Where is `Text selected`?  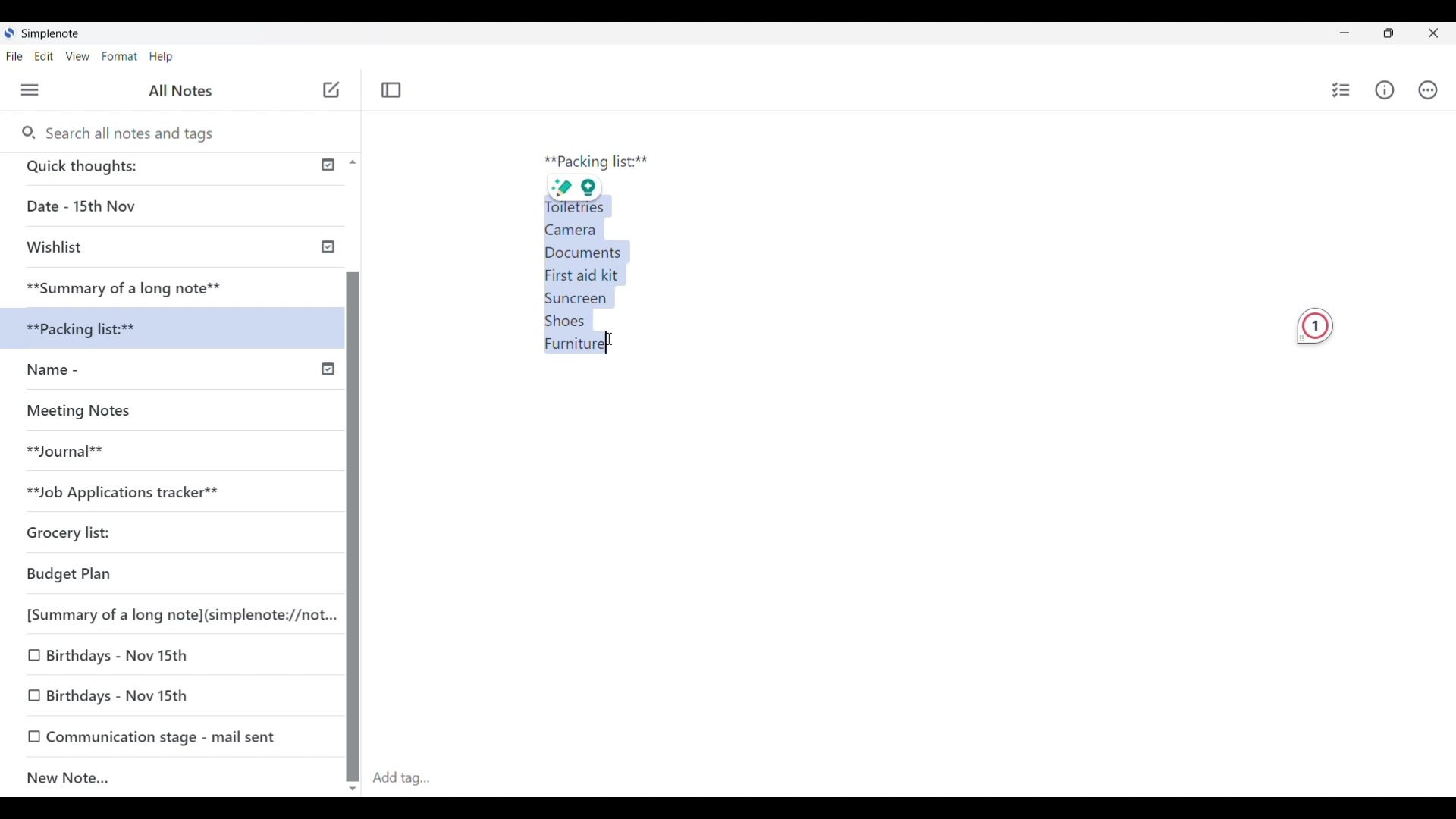 Text selected is located at coordinates (588, 278).